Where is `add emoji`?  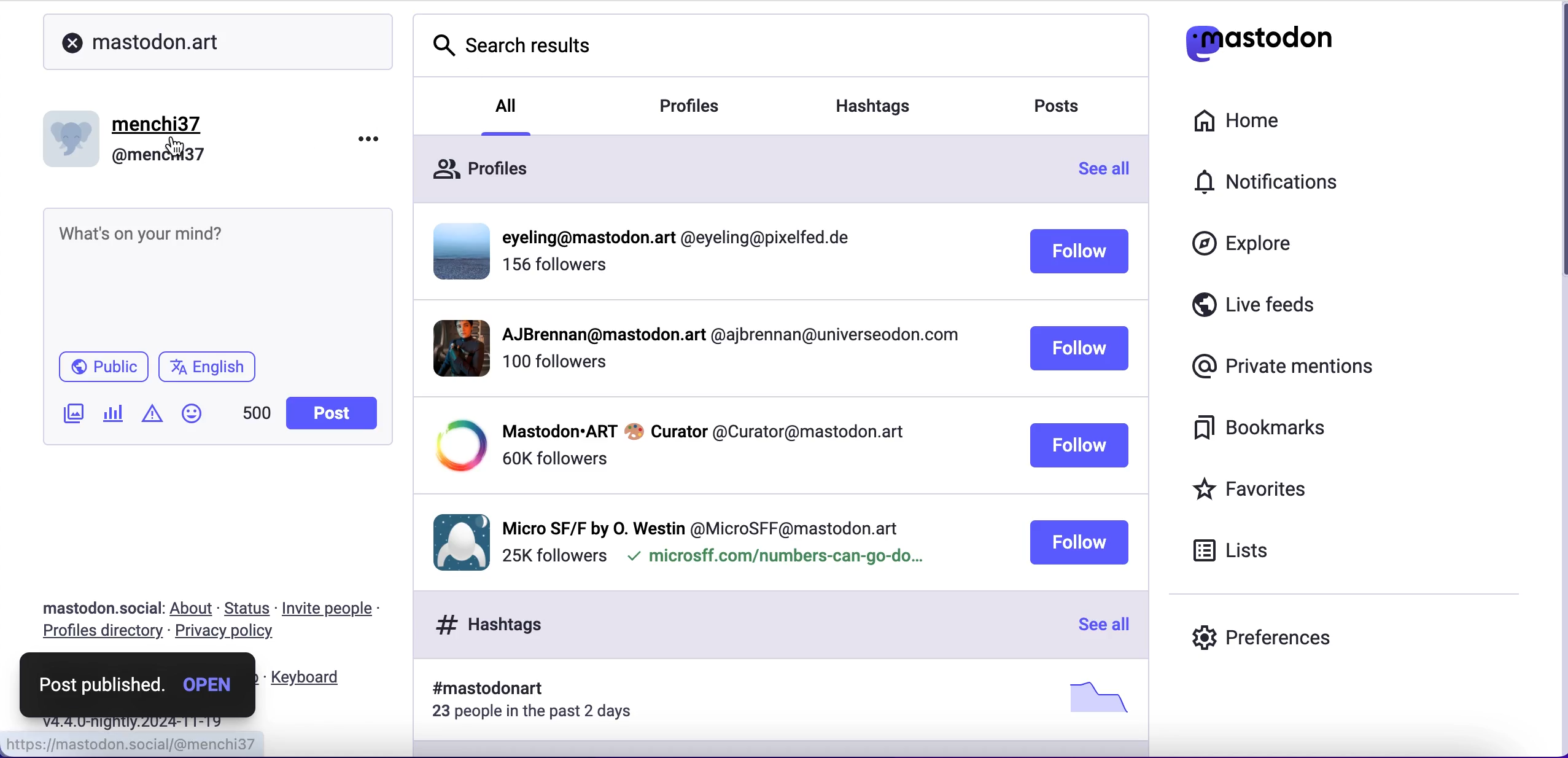 add emoji is located at coordinates (192, 419).